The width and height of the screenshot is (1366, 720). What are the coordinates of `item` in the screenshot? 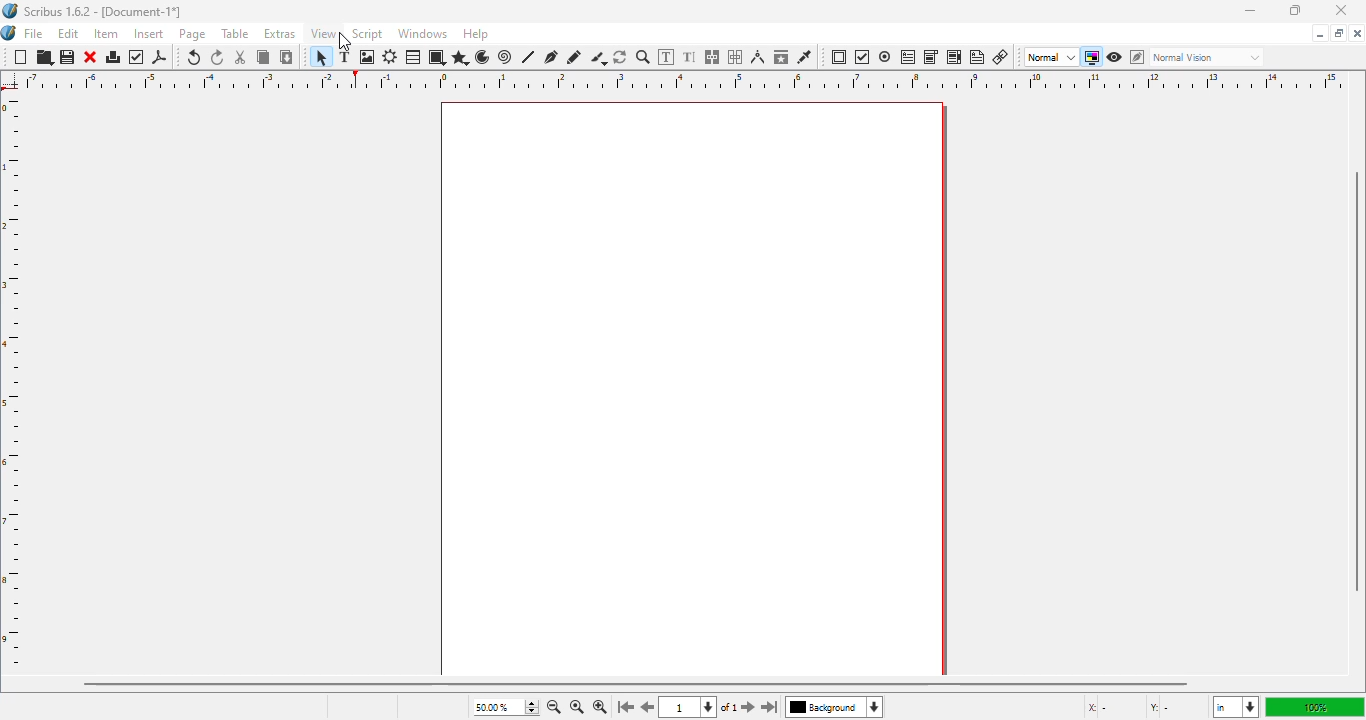 It's located at (107, 34).